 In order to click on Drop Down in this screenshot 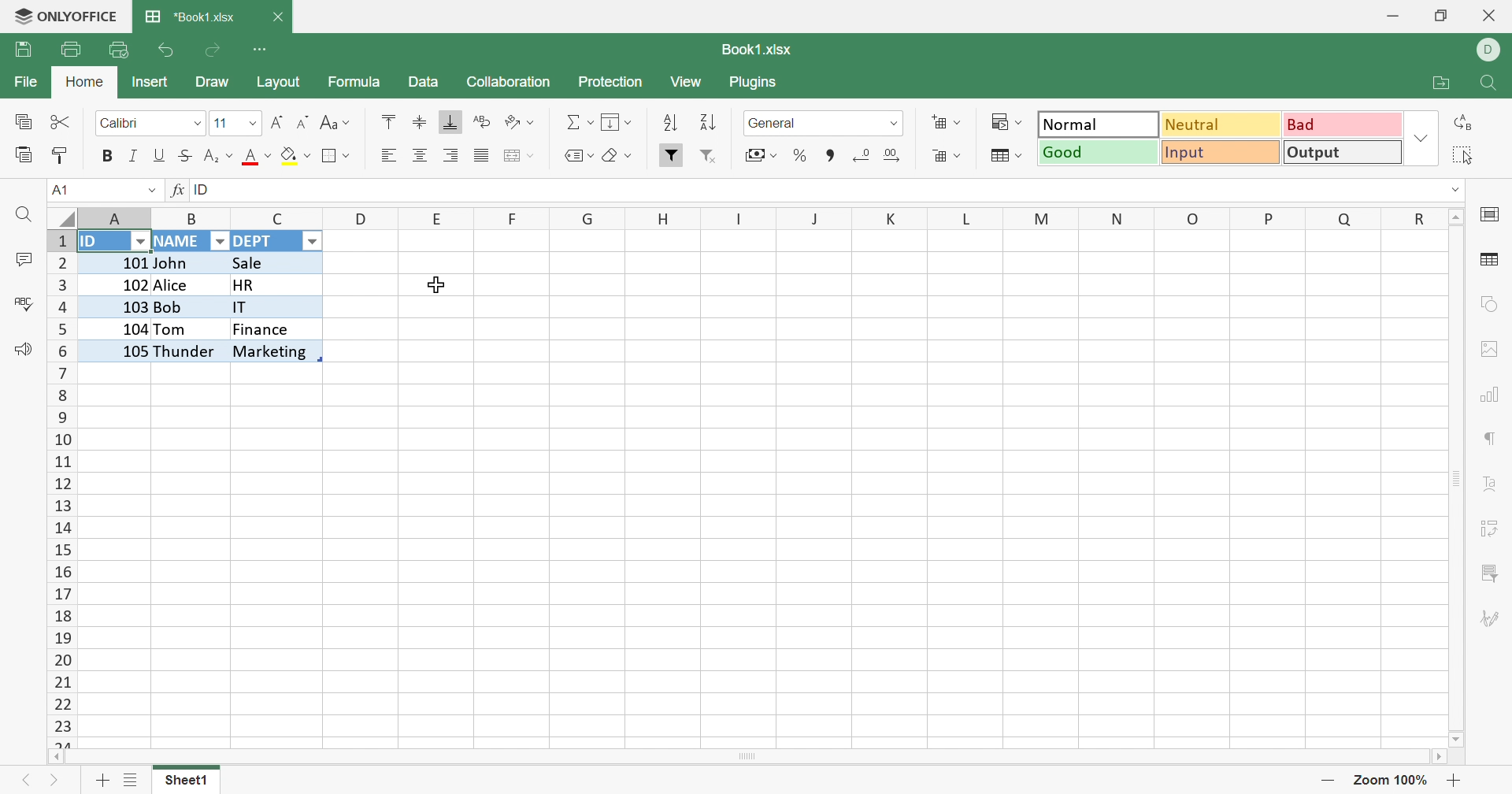, I will do `click(1457, 191)`.